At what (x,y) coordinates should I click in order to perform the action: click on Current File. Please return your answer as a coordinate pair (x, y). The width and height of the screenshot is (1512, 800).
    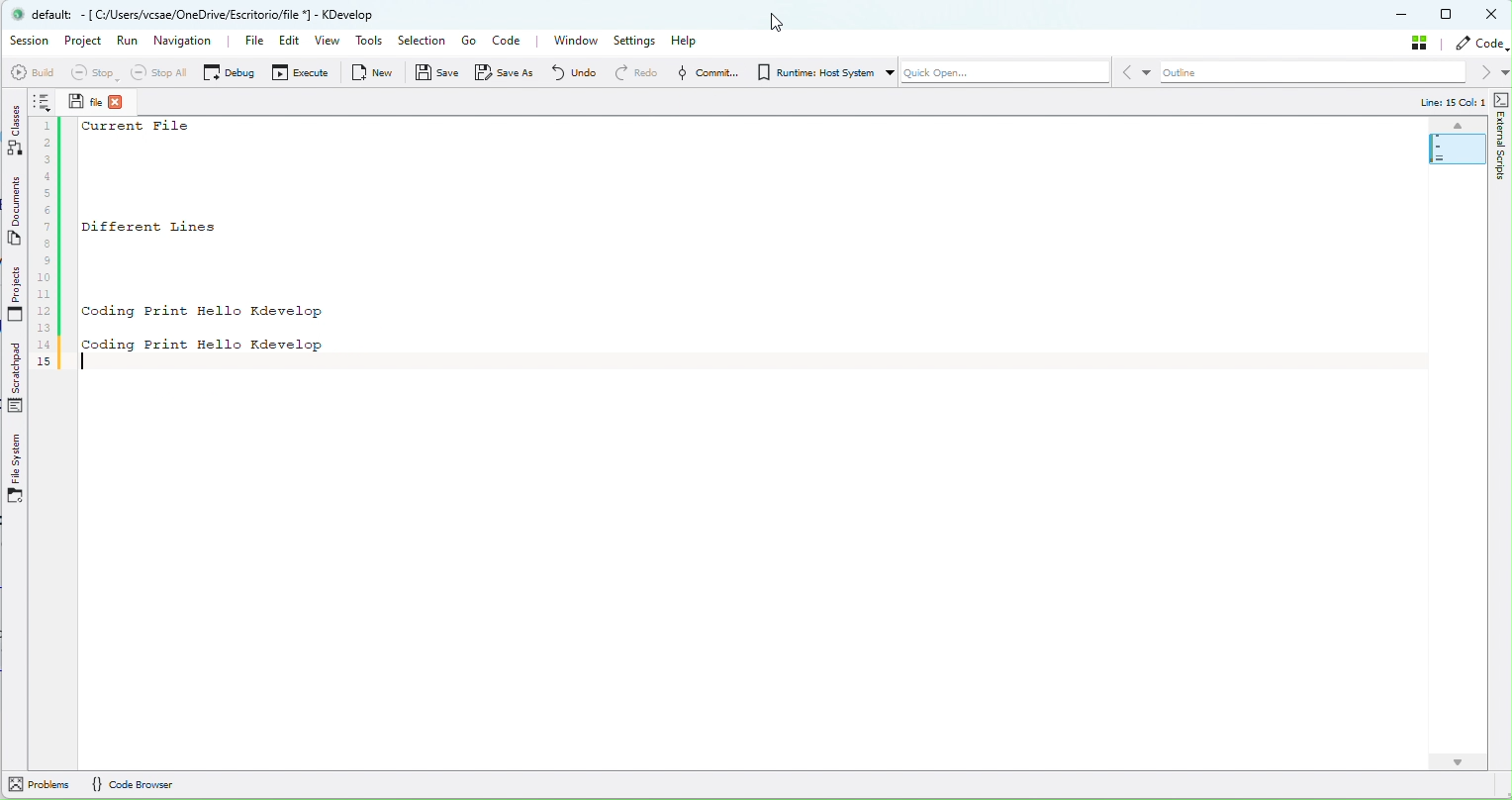
    Looking at the image, I should click on (141, 128).